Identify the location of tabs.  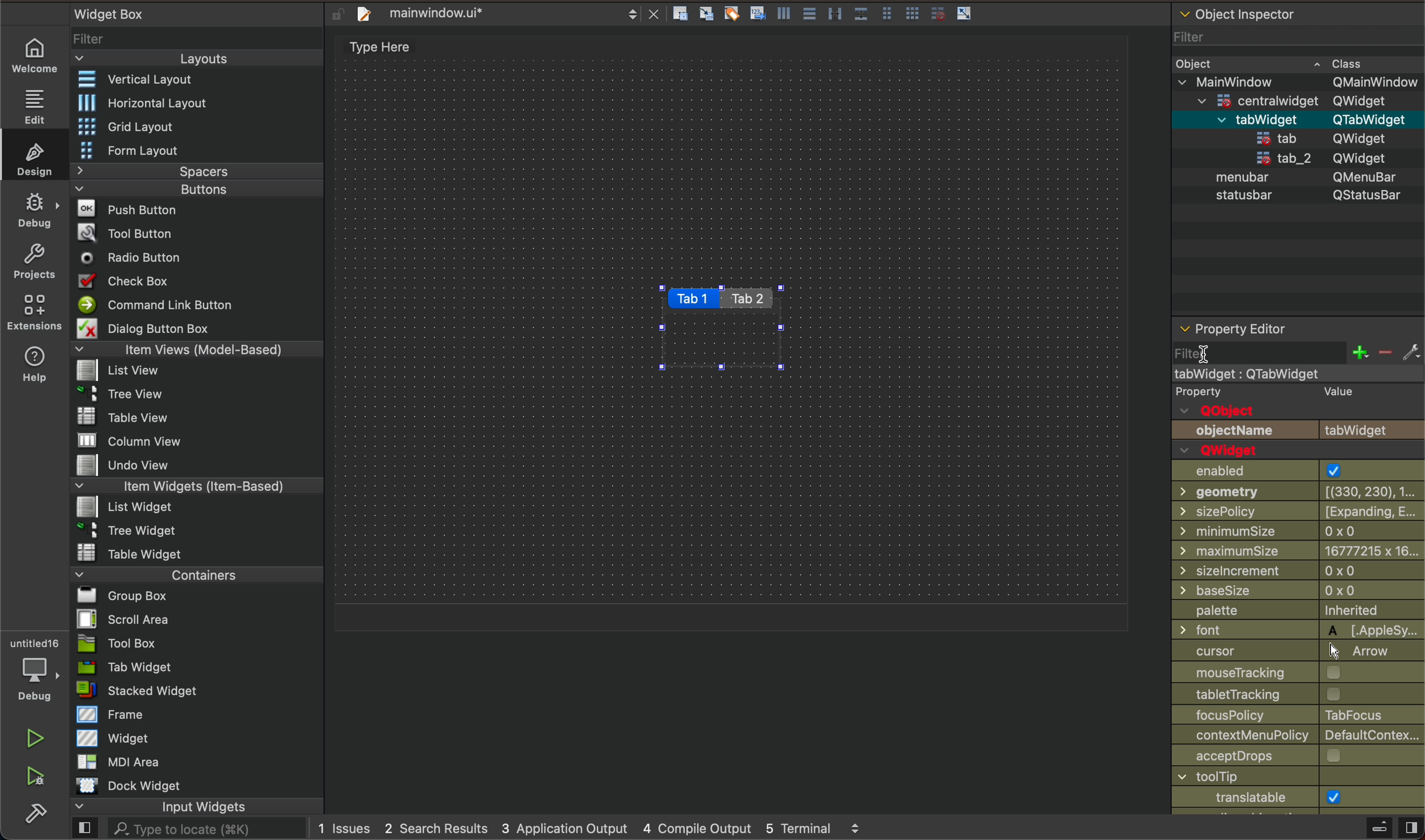
(724, 327).